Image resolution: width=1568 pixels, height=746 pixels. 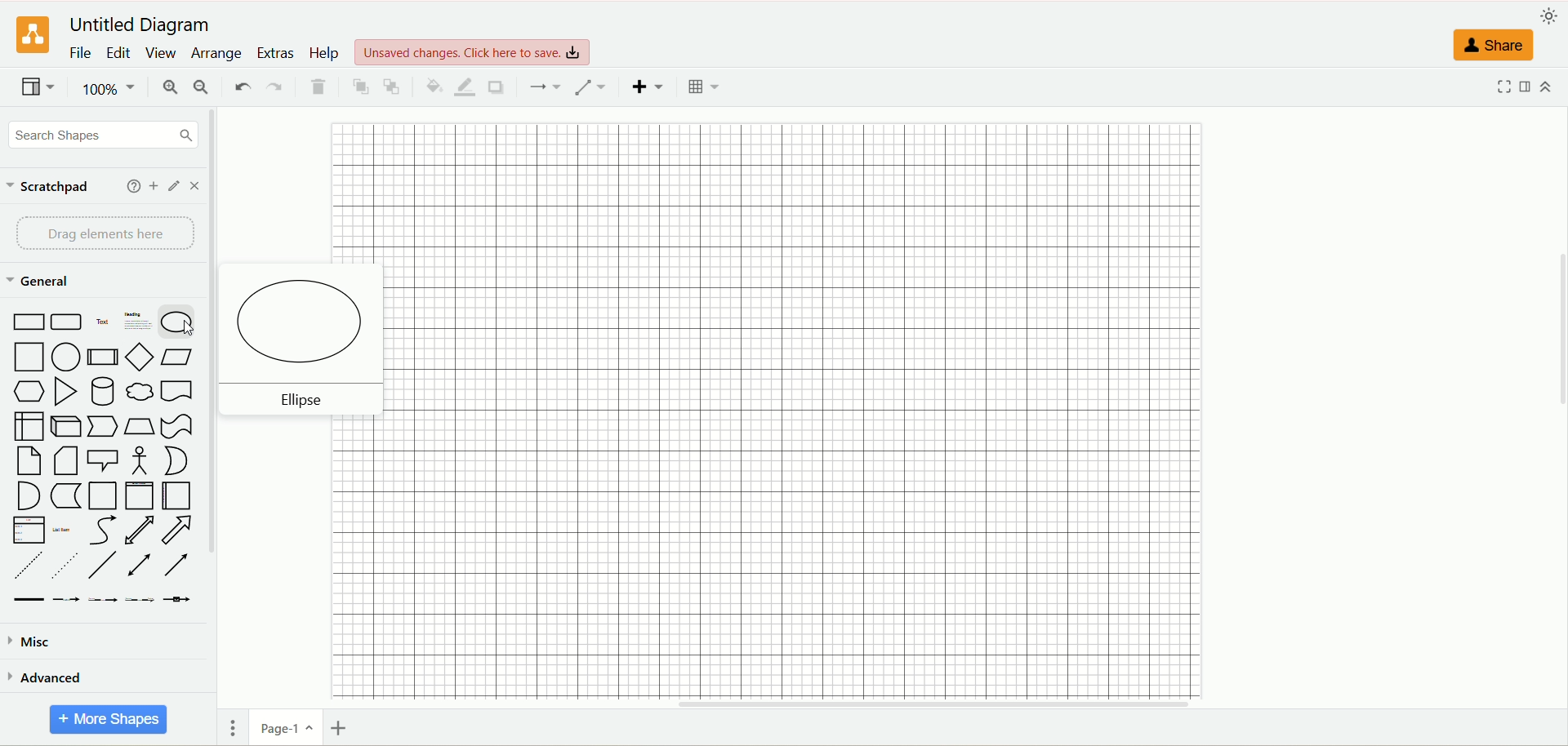 What do you see at coordinates (1549, 88) in the screenshot?
I see `expand/collapse` at bounding box center [1549, 88].